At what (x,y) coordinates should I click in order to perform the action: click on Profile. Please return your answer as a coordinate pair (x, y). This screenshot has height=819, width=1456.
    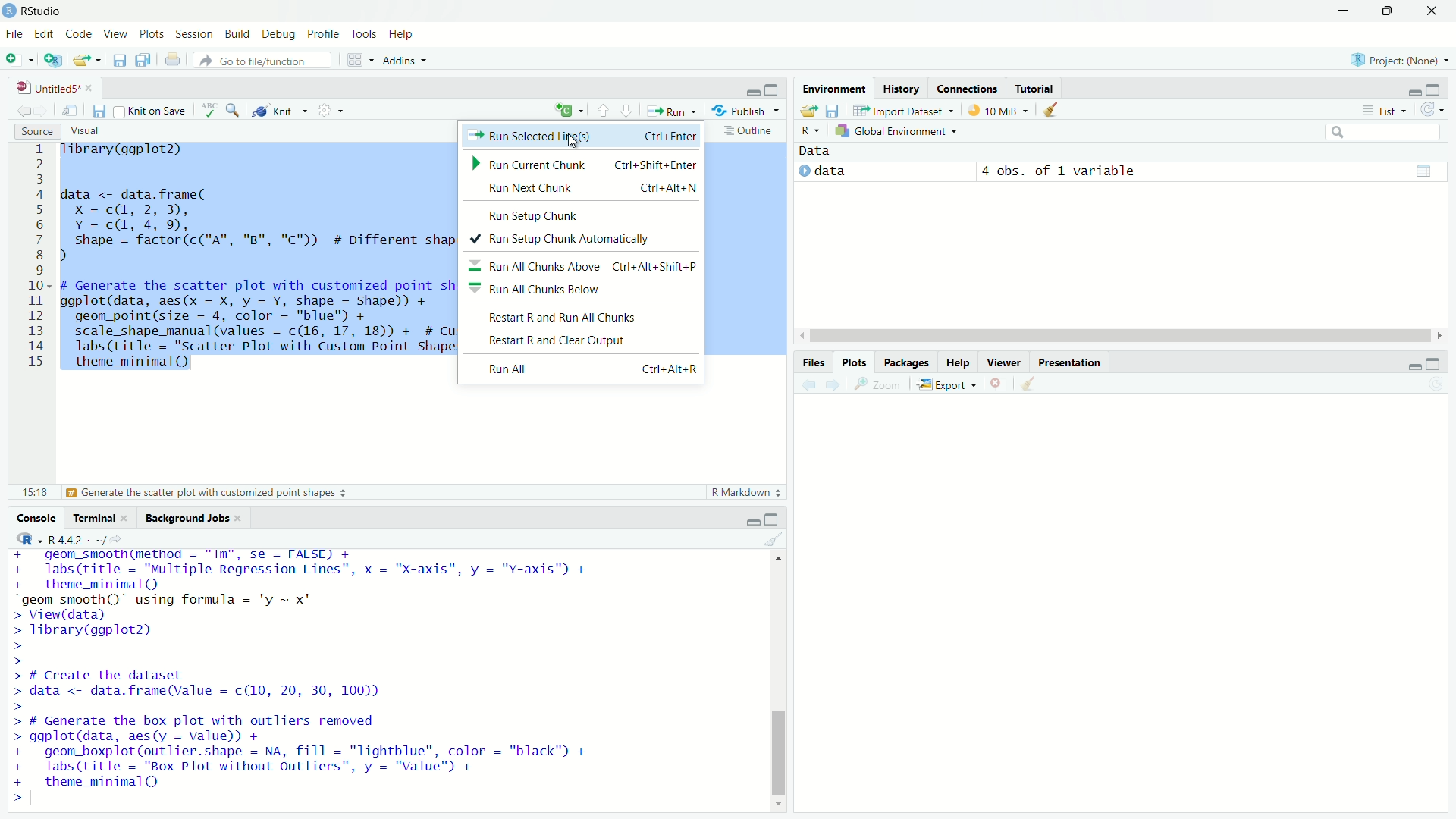
    Looking at the image, I should click on (322, 33).